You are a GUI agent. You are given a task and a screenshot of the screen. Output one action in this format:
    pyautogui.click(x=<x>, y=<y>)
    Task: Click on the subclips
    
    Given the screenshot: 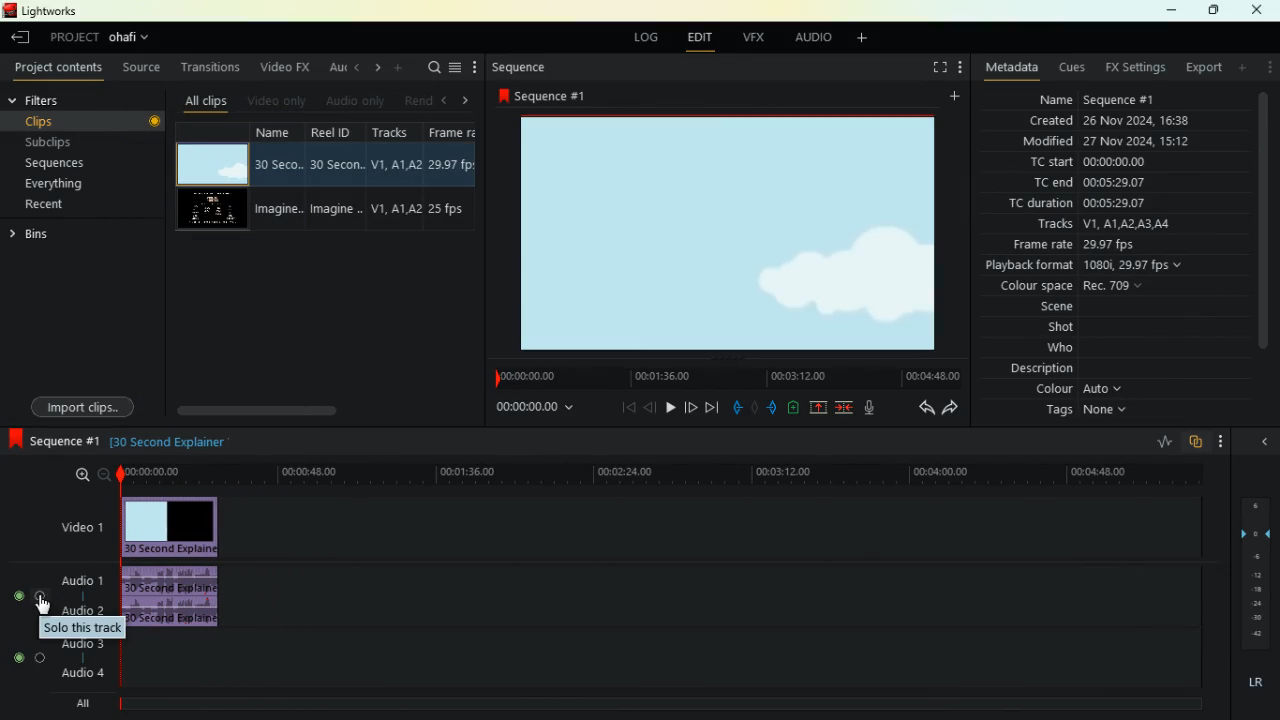 What is the action you would take?
    pyautogui.click(x=54, y=143)
    